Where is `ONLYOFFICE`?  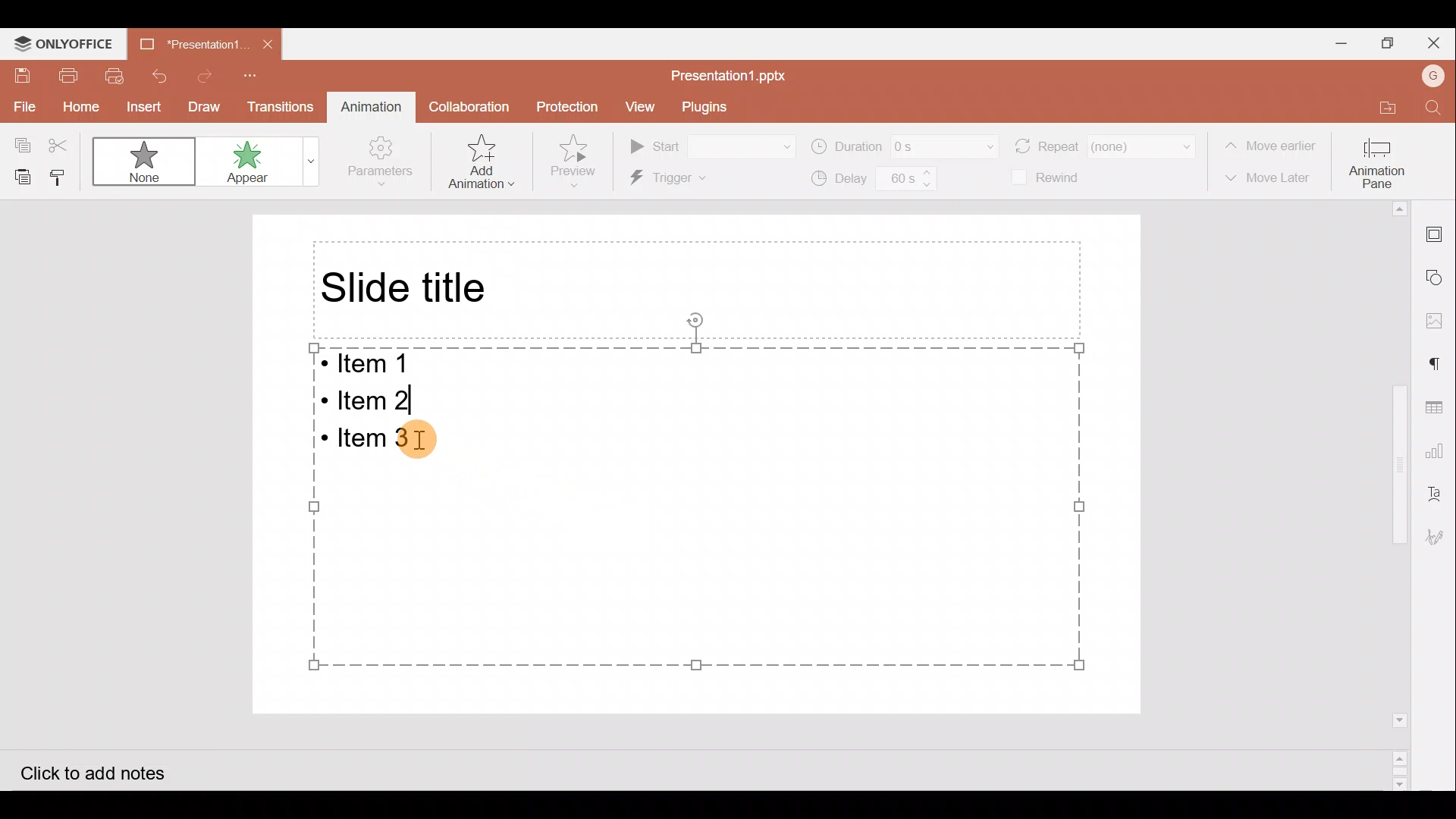
ONLYOFFICE is located at coordinates (60, 41).